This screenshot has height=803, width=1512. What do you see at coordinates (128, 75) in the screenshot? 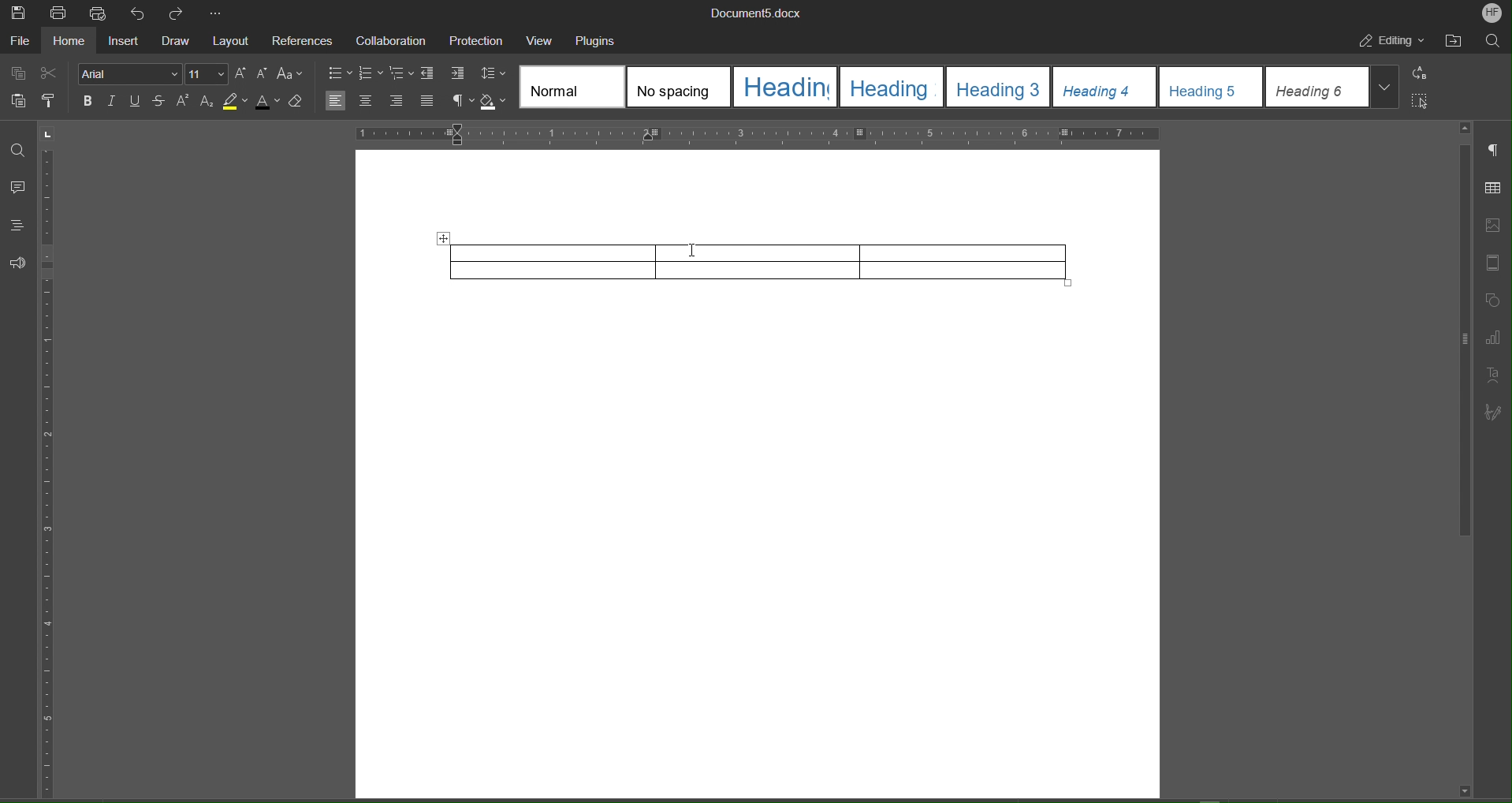
I see `Font` at bounding box center [128, 75].